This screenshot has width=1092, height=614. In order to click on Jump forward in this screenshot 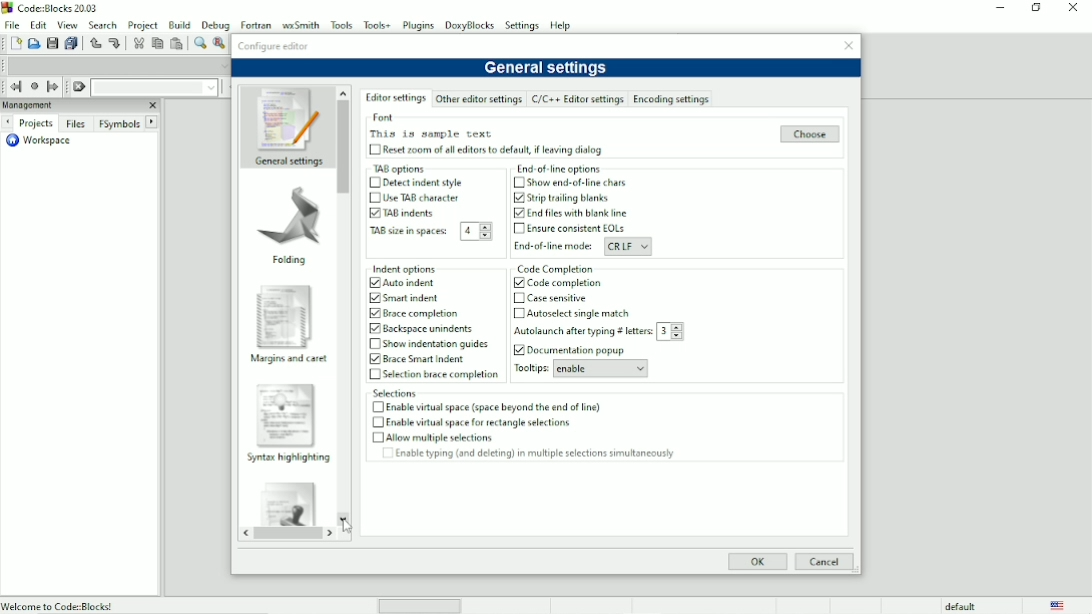, I will do `click(55, 87)`.